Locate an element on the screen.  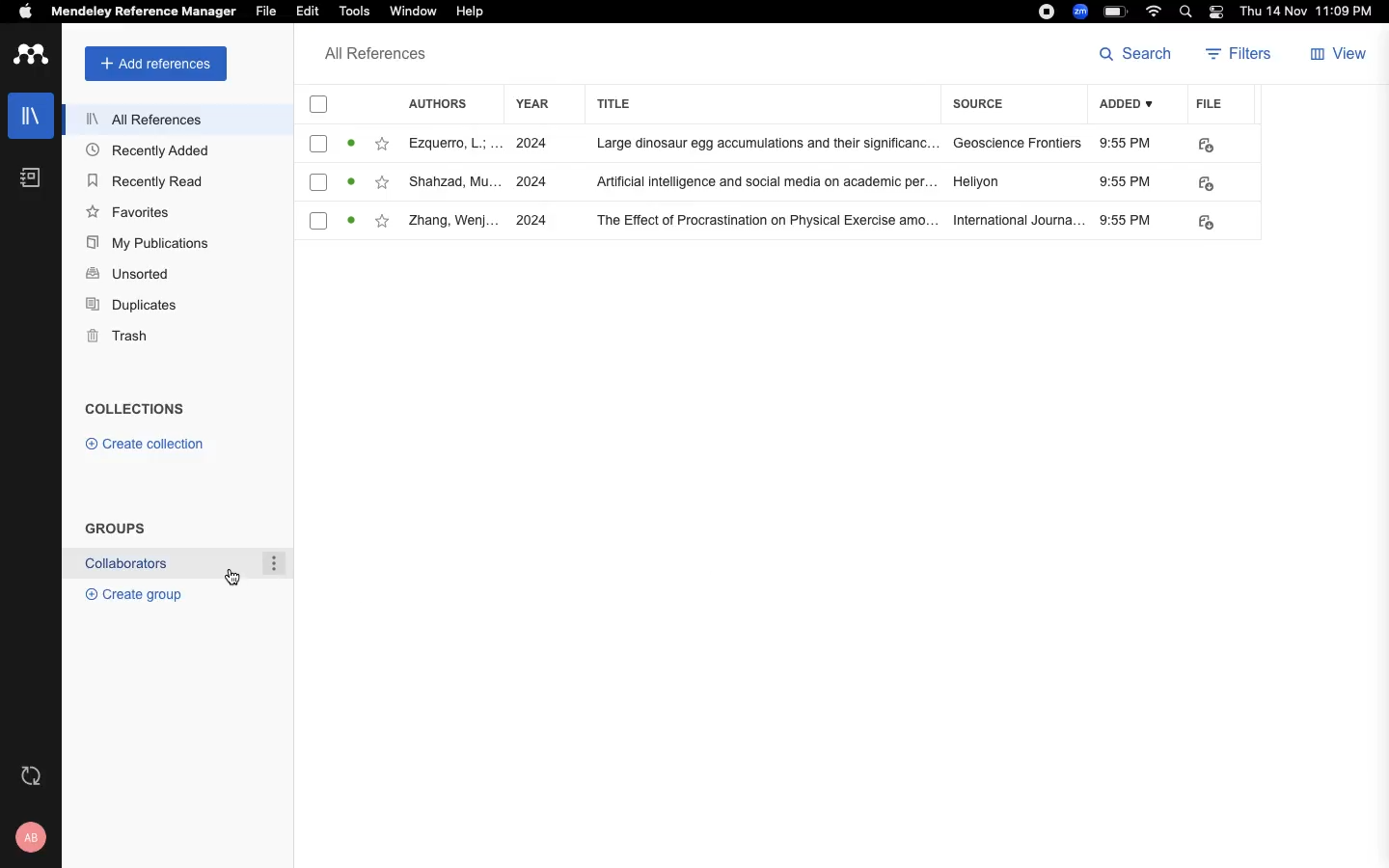
sources is located at coordinates (1020, 182).